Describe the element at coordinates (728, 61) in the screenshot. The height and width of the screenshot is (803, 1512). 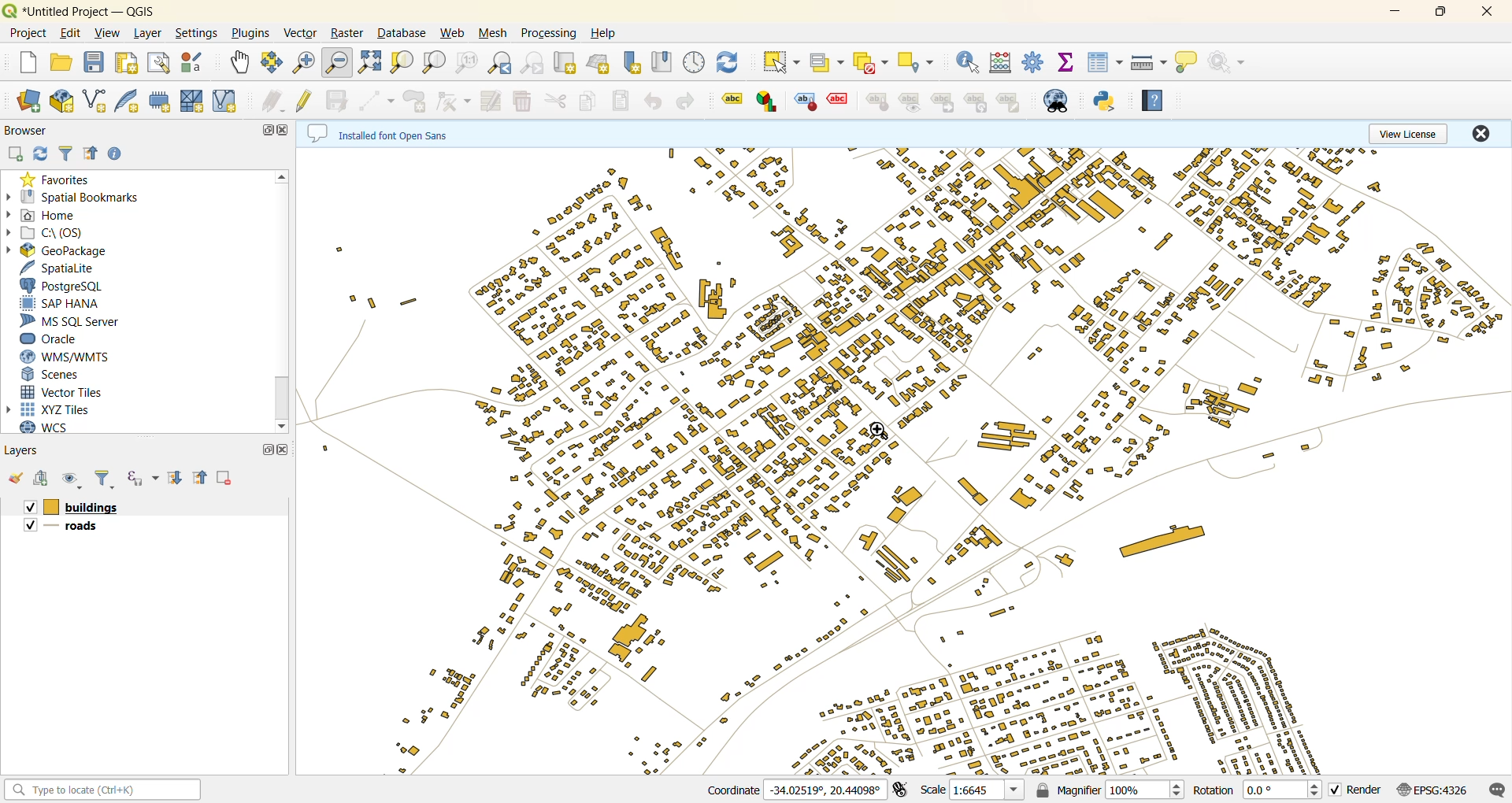
I see `refresh` at that location.